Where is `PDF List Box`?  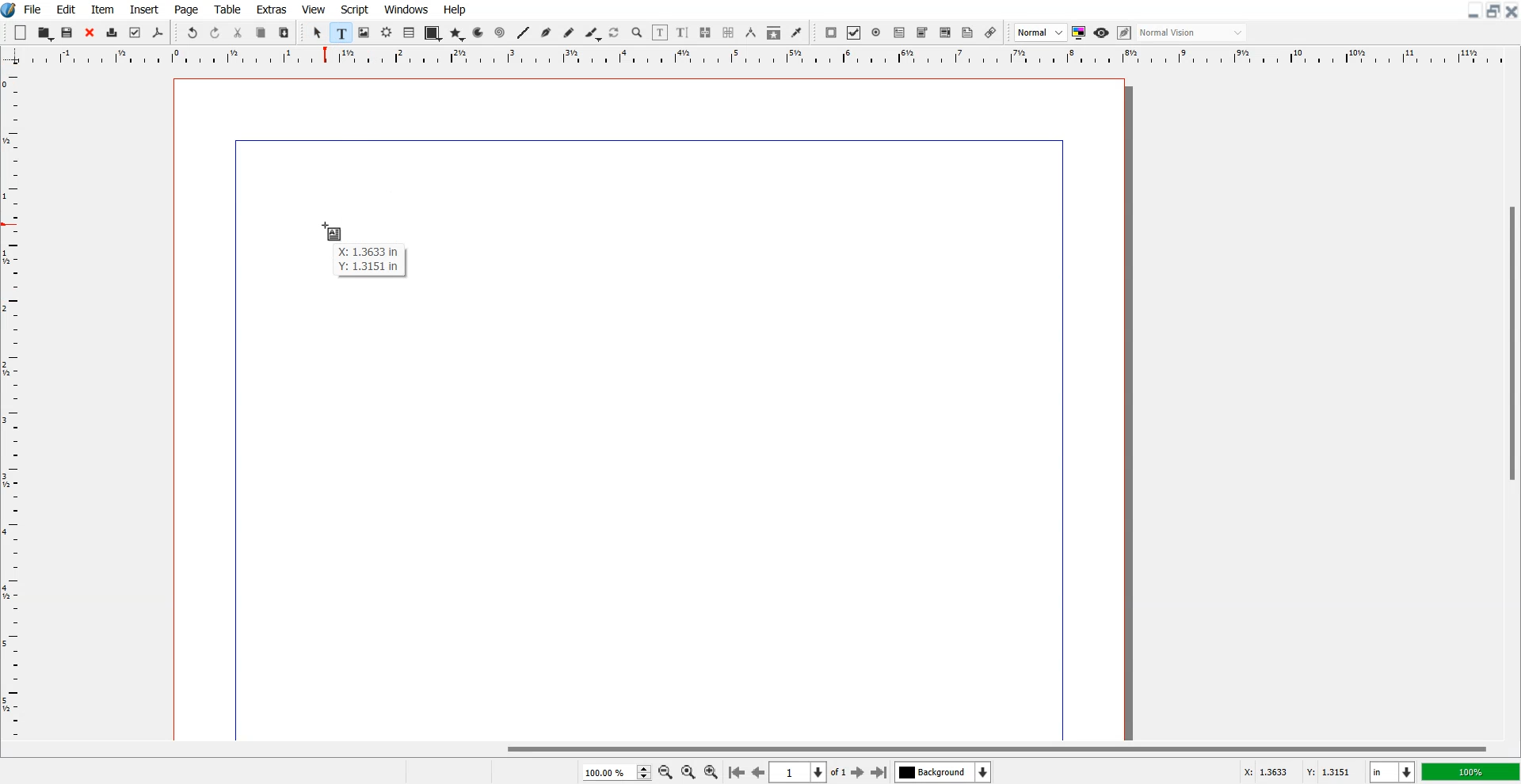
PDF List Box is located at coordinates (945, 33).